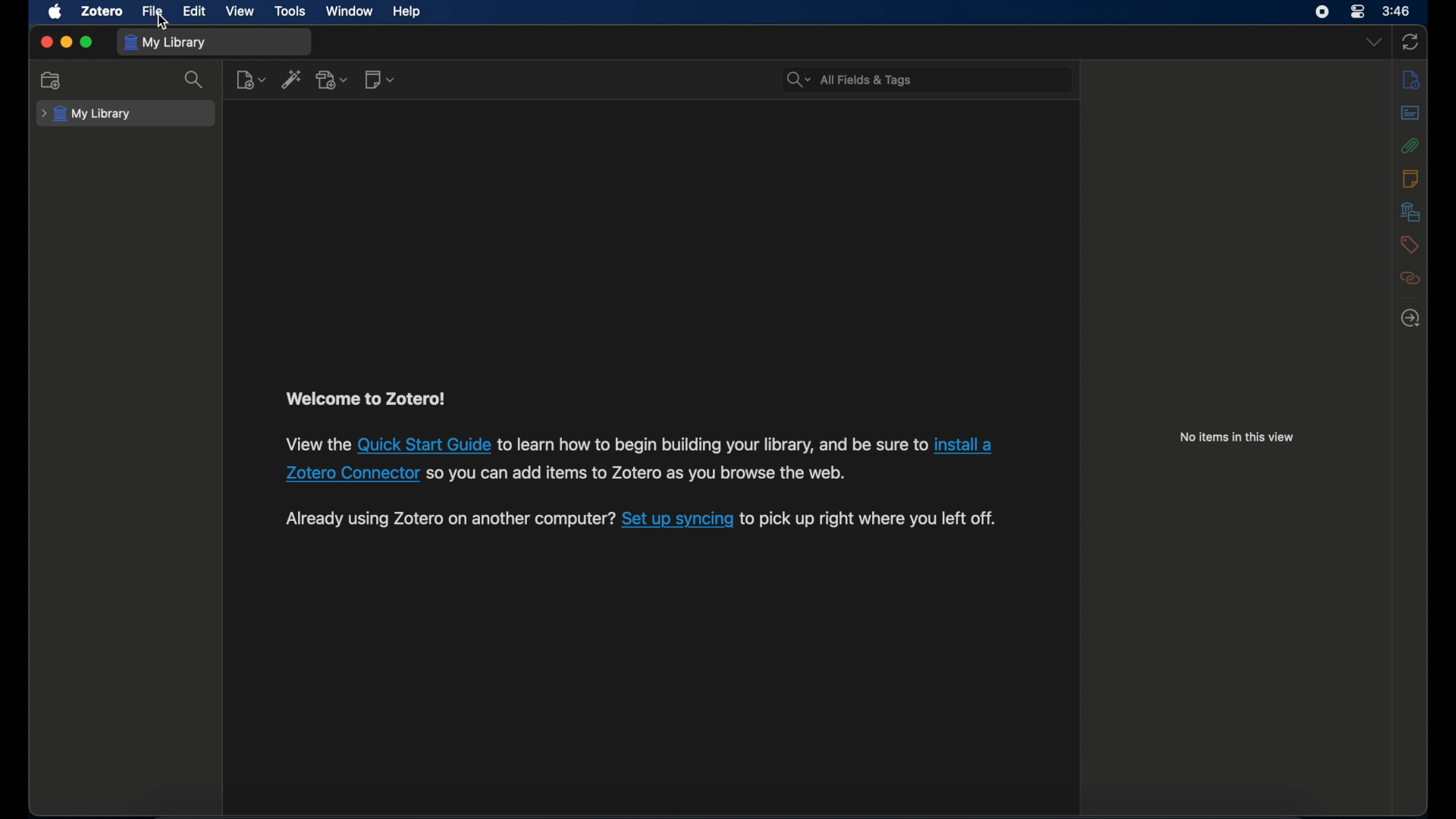 The width and height of the screenshot is (1456, 819). Describe the element at coordinates (194, 12) in the screenshot. I see `edit` at that location.